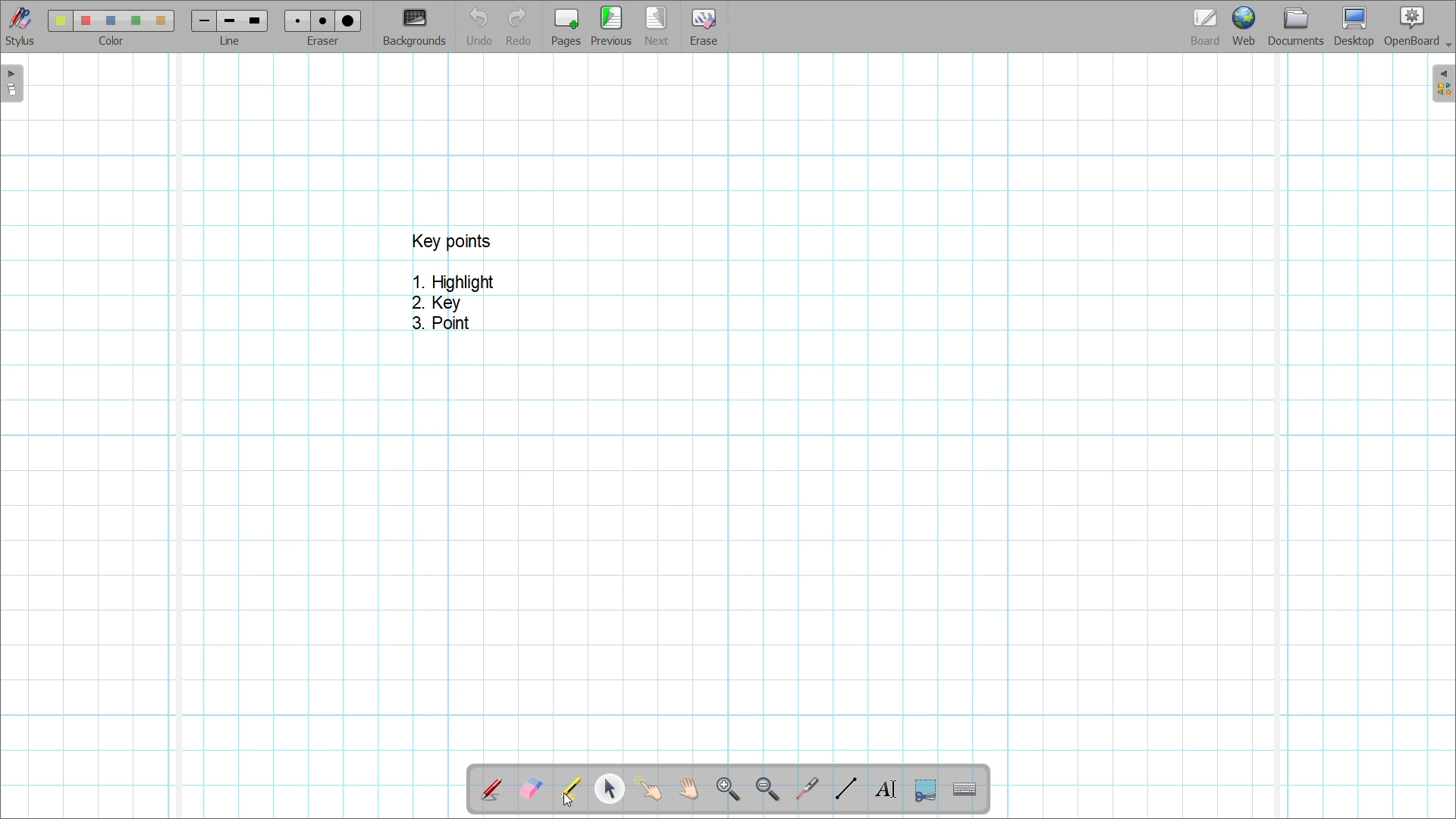 The image size is (1456, 819). What do you see at coordinates (703, 27) in the screenshot?
I see `Erase entire page` at bounding box center [703, 27].